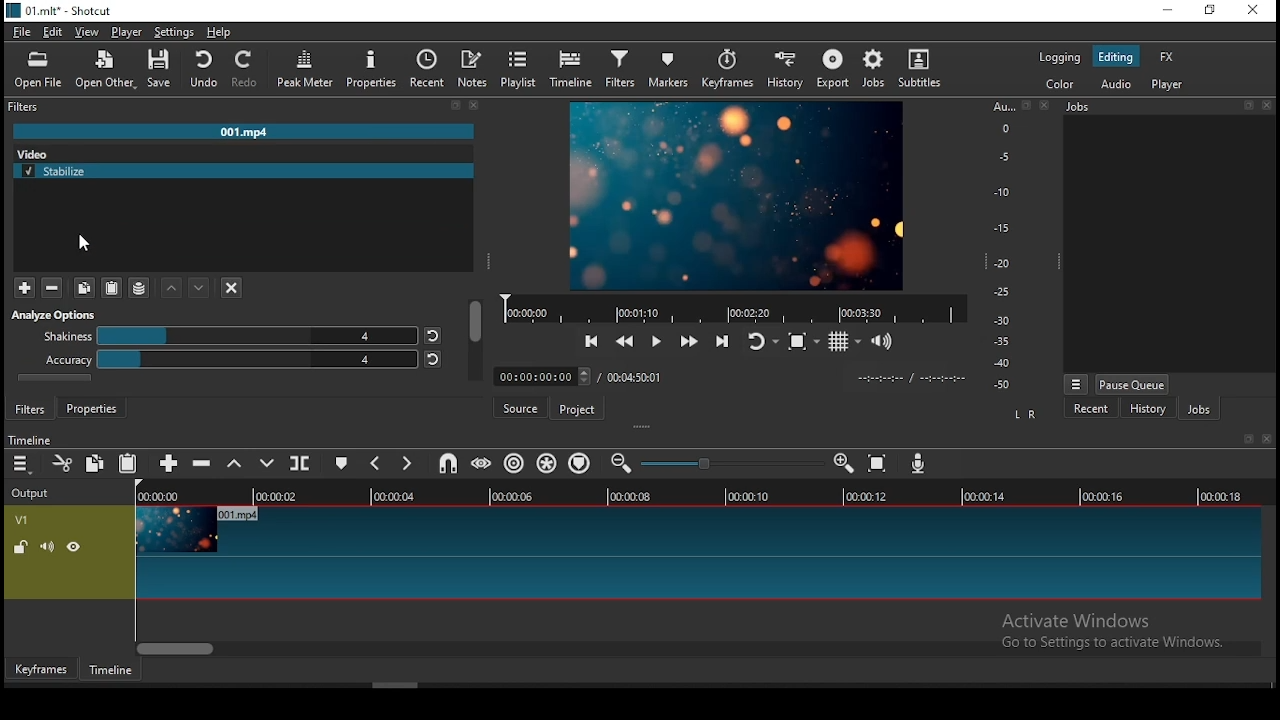 The height and width of the screenshot is (720, 1280). I want to click on play/pause, so click(653, 342).